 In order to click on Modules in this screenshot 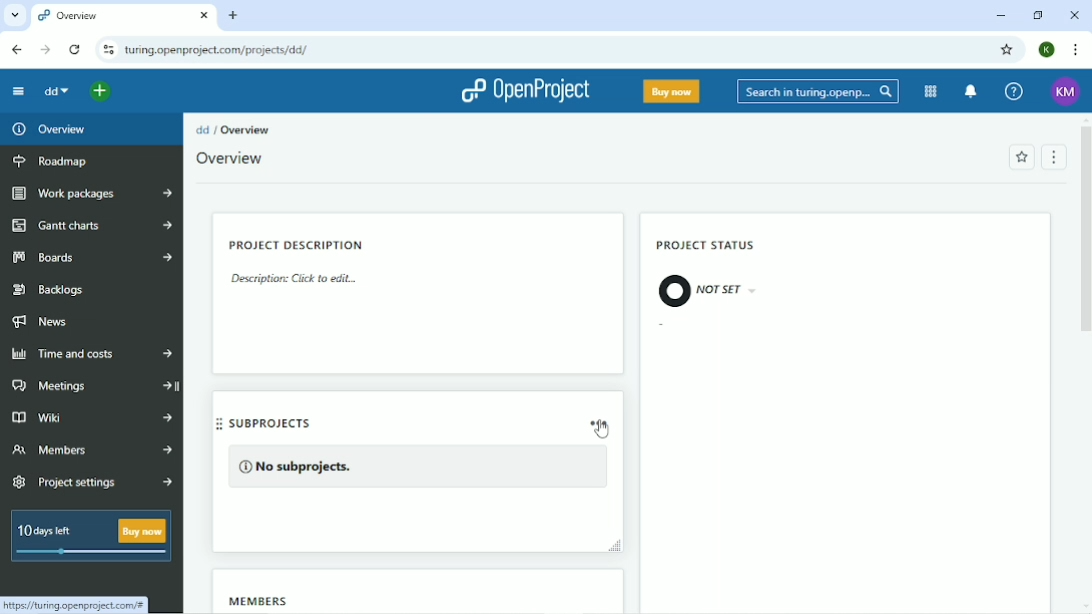, I will do `click(930, 92)`.